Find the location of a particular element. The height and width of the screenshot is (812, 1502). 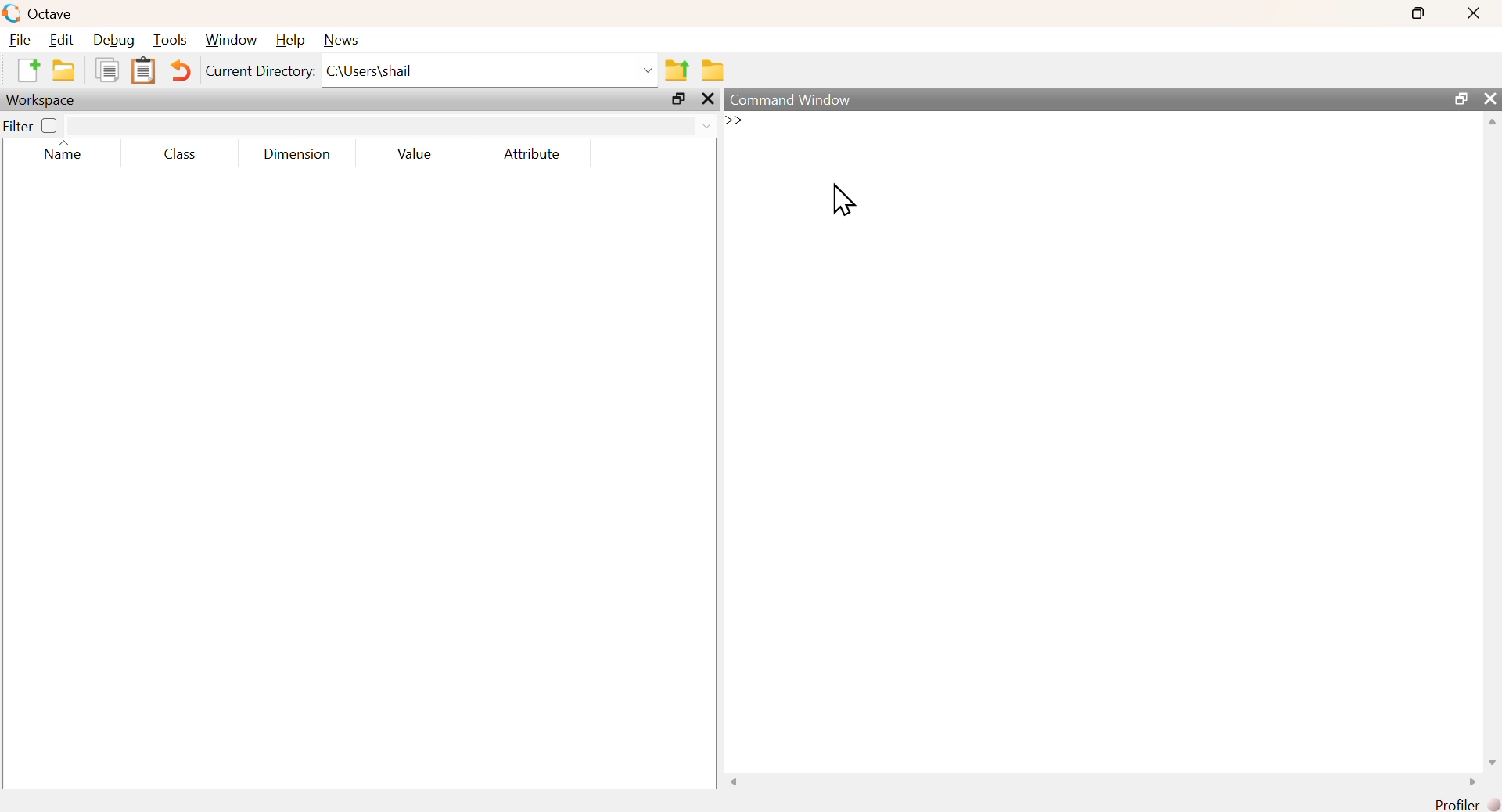

open an existing file in editor is located at coordinates (63, 71).